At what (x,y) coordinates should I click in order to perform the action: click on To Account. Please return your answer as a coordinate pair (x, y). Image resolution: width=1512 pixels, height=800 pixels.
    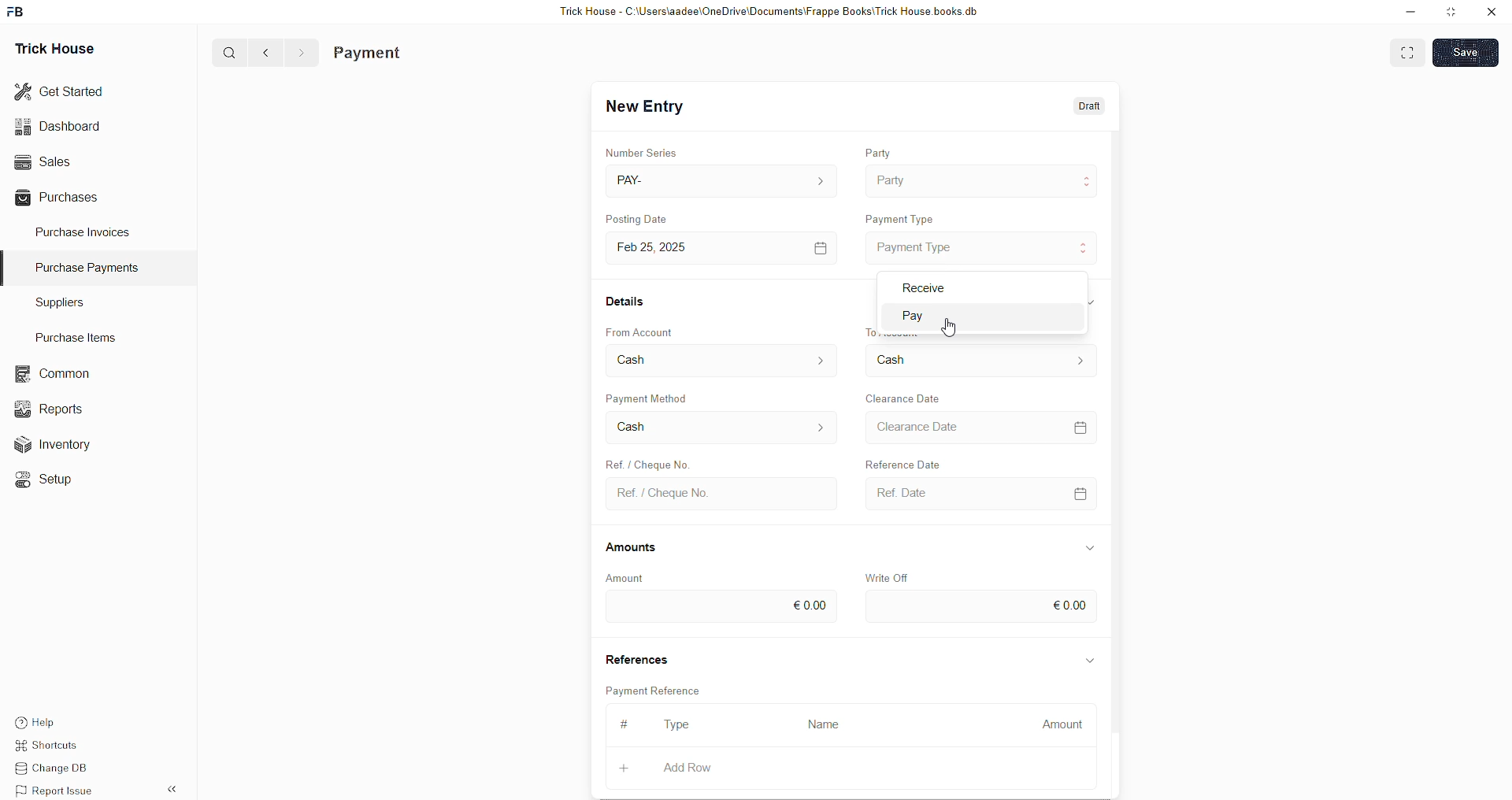
    Looking at the image, I should click on (907, 359).